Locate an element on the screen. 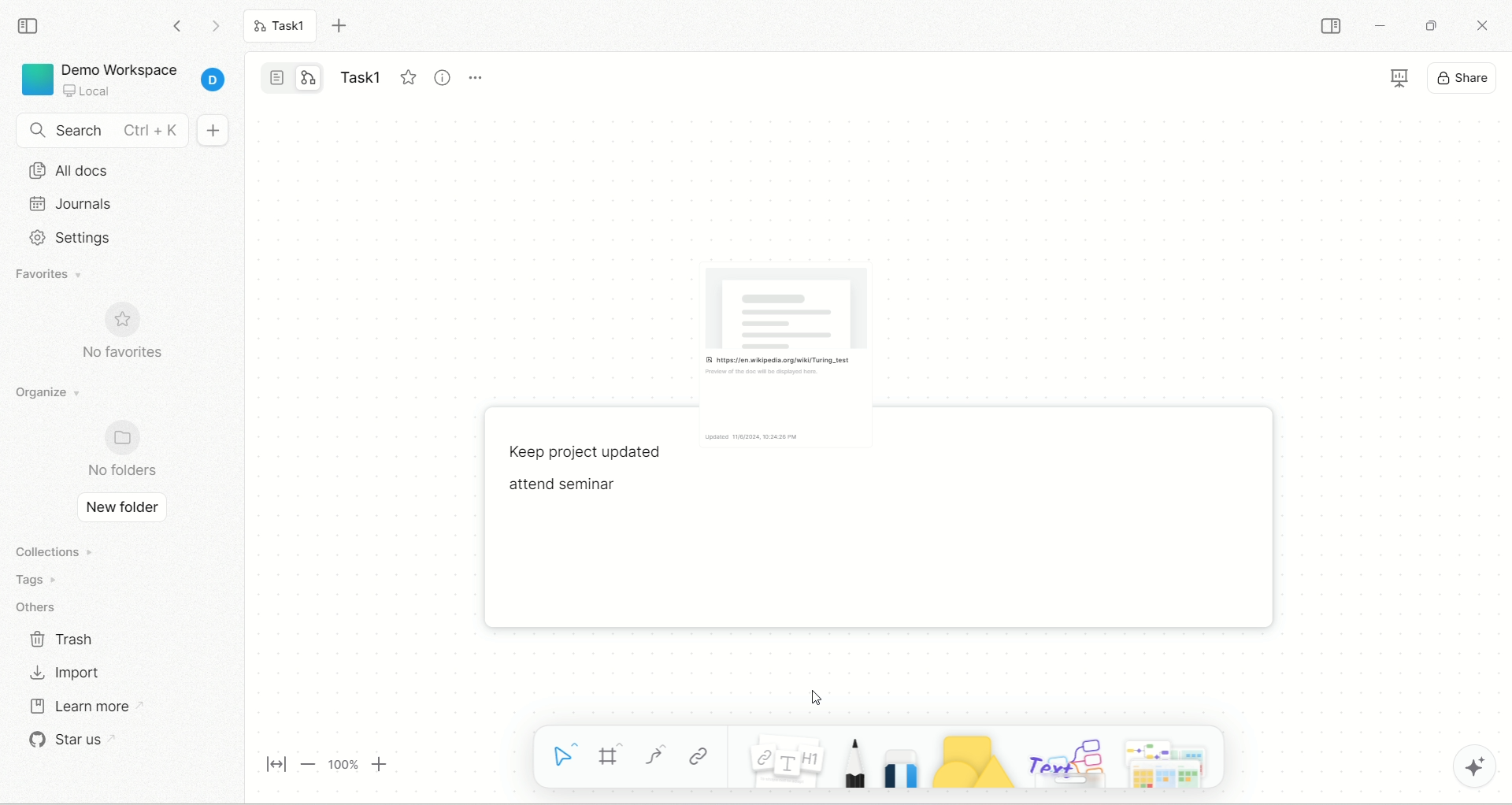 The height and width of the screenshot is (805, 1512). favorites is located at coordinates (62, 276).